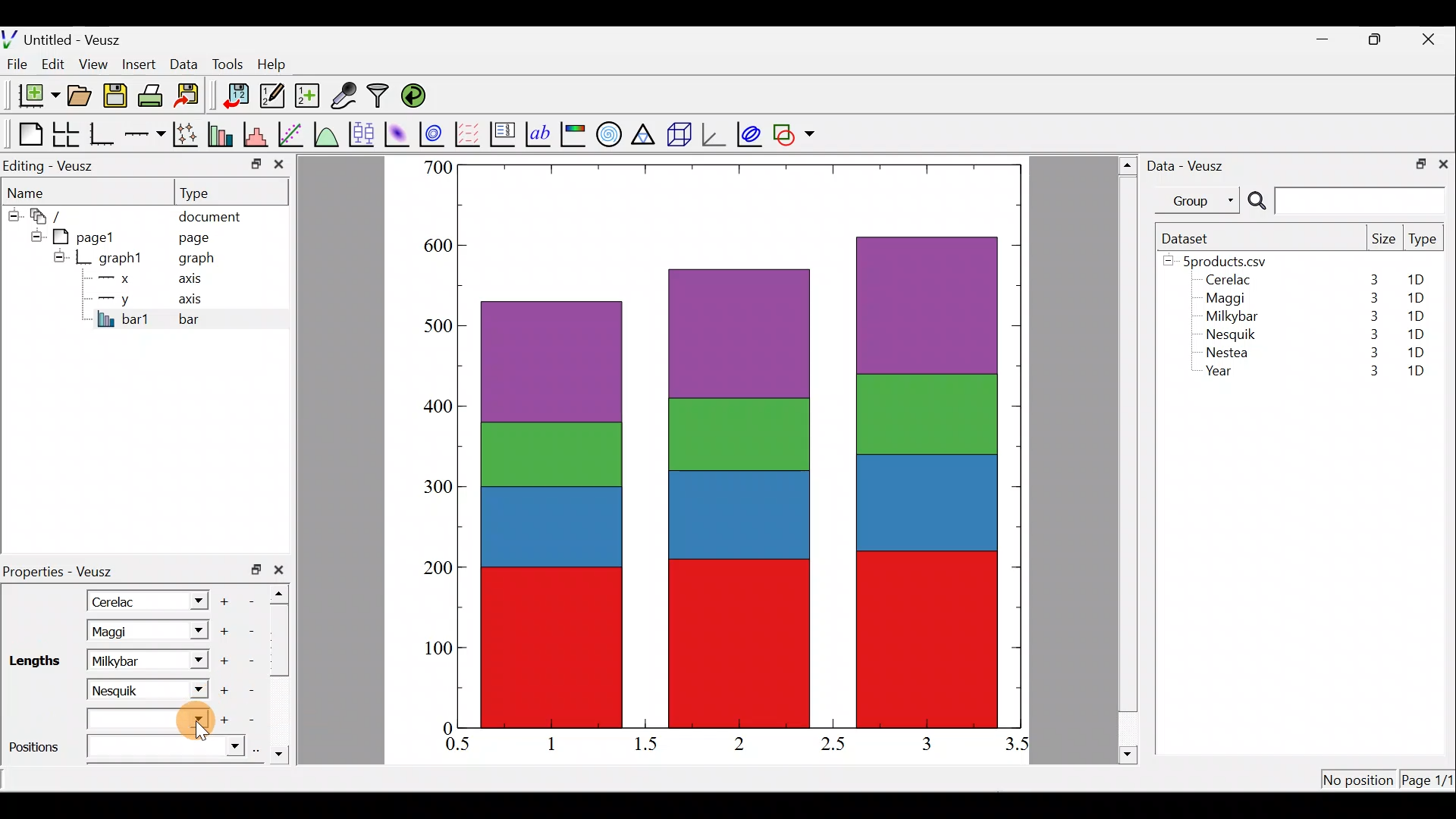  What do you see at coordinates (226, 661) in the screenshot?
I see `Add another item` at bounding box center [226, 661].